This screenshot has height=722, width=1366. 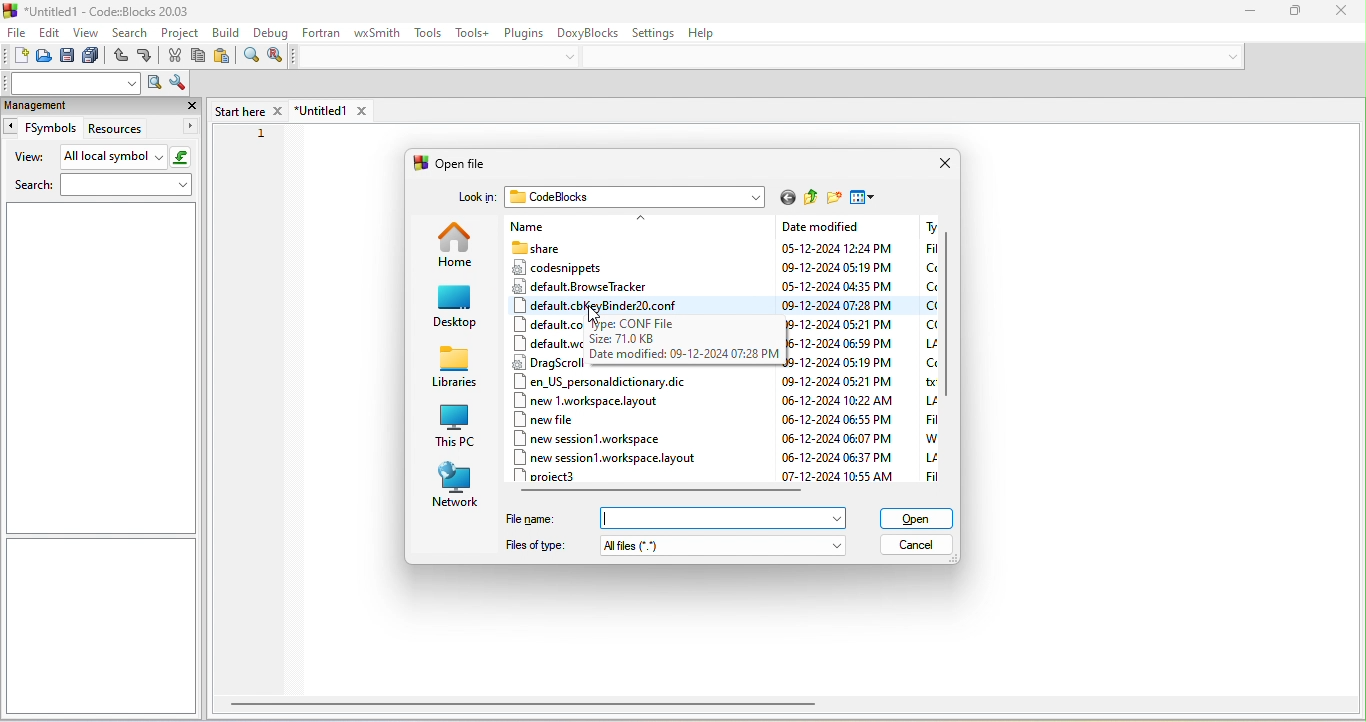 I want to click on close, so click(x=947, y=162).